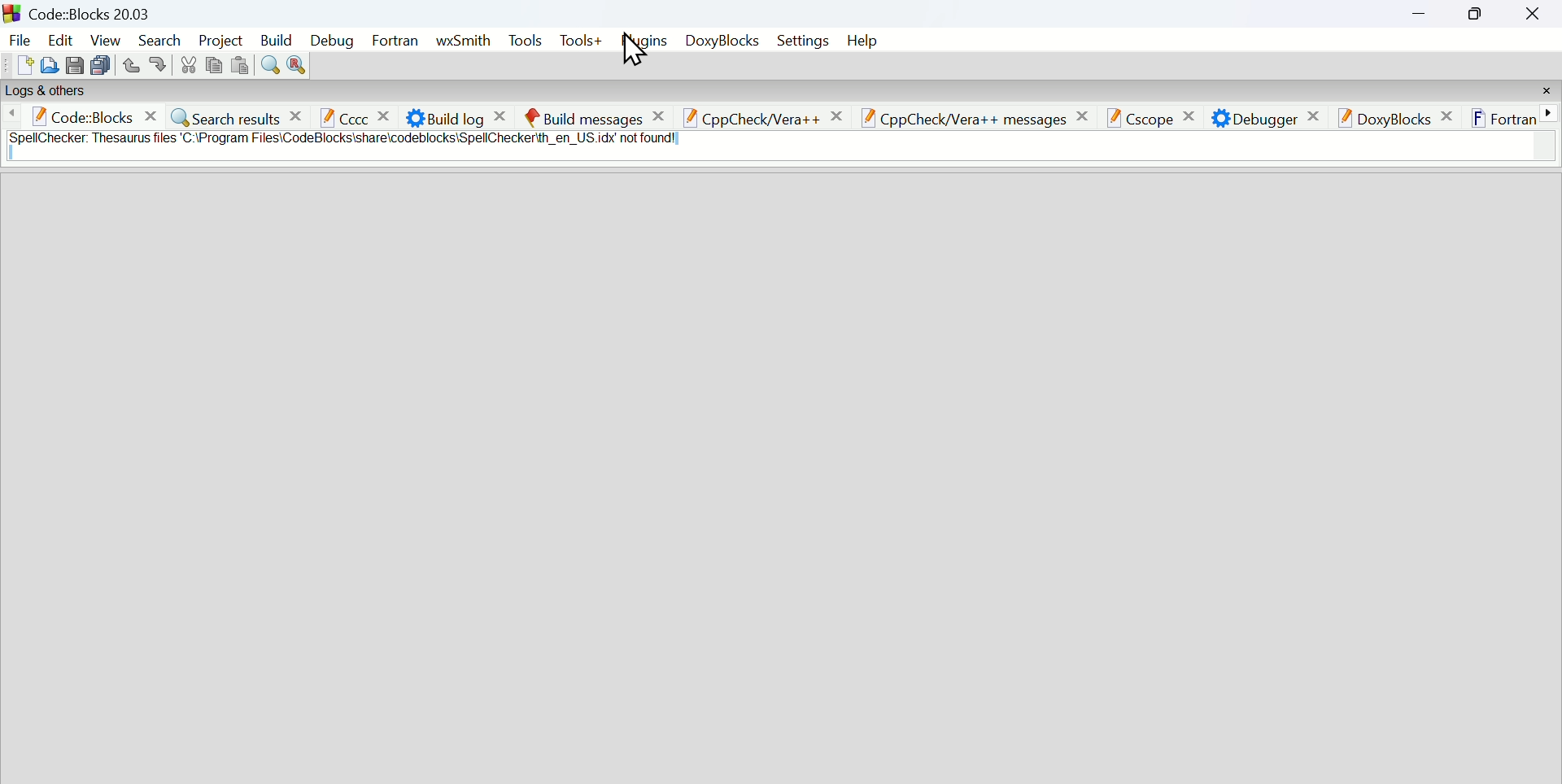  Describe the element at coordinates (1547, 91) in the screenshot. I see `Close` at that location.